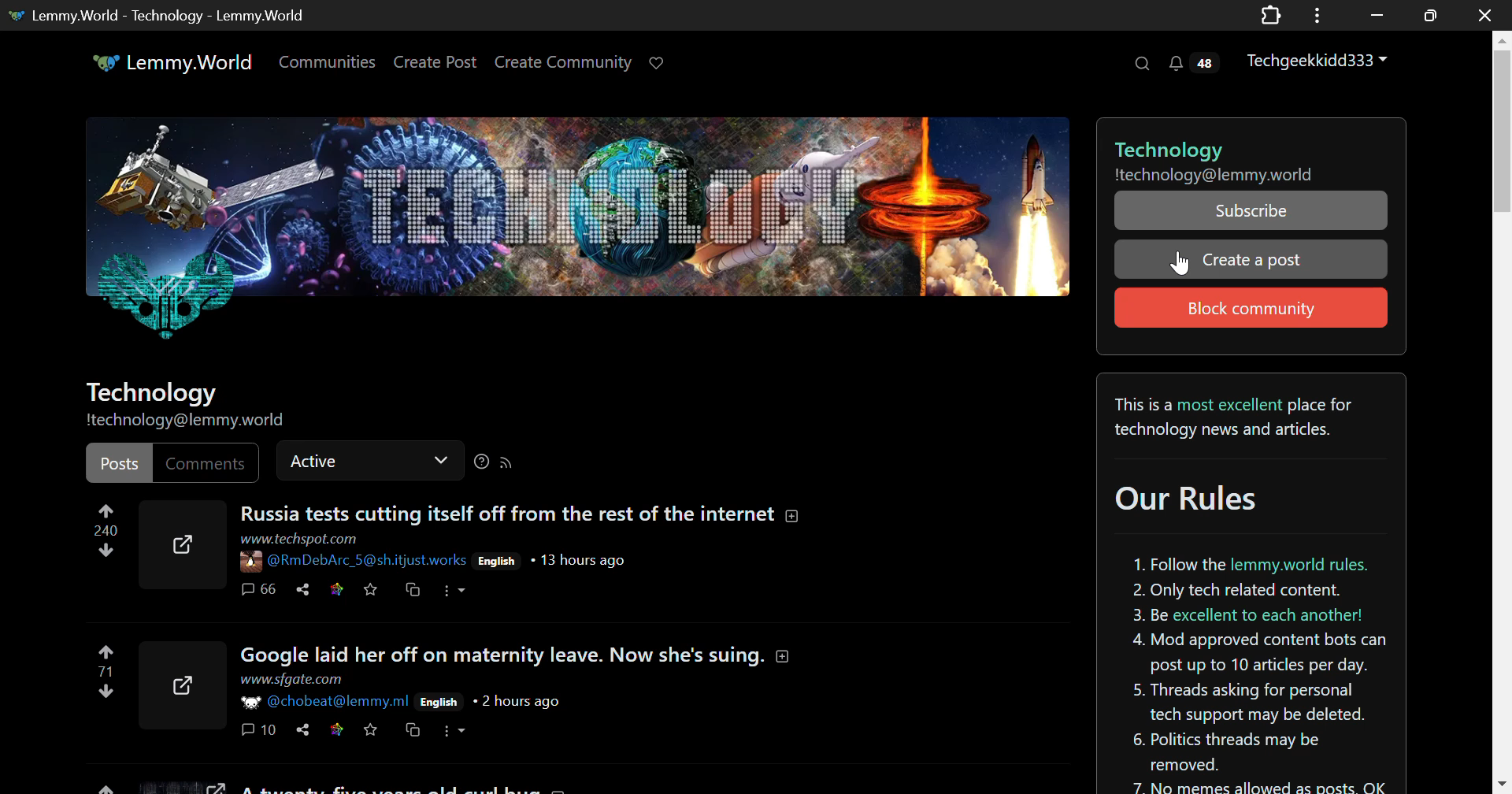 The width and height of the screenshot is (1512, 794). What do you see at coordinates (372, 588) in the screenshot?
I see `Save` at bounding box center [372, 588].